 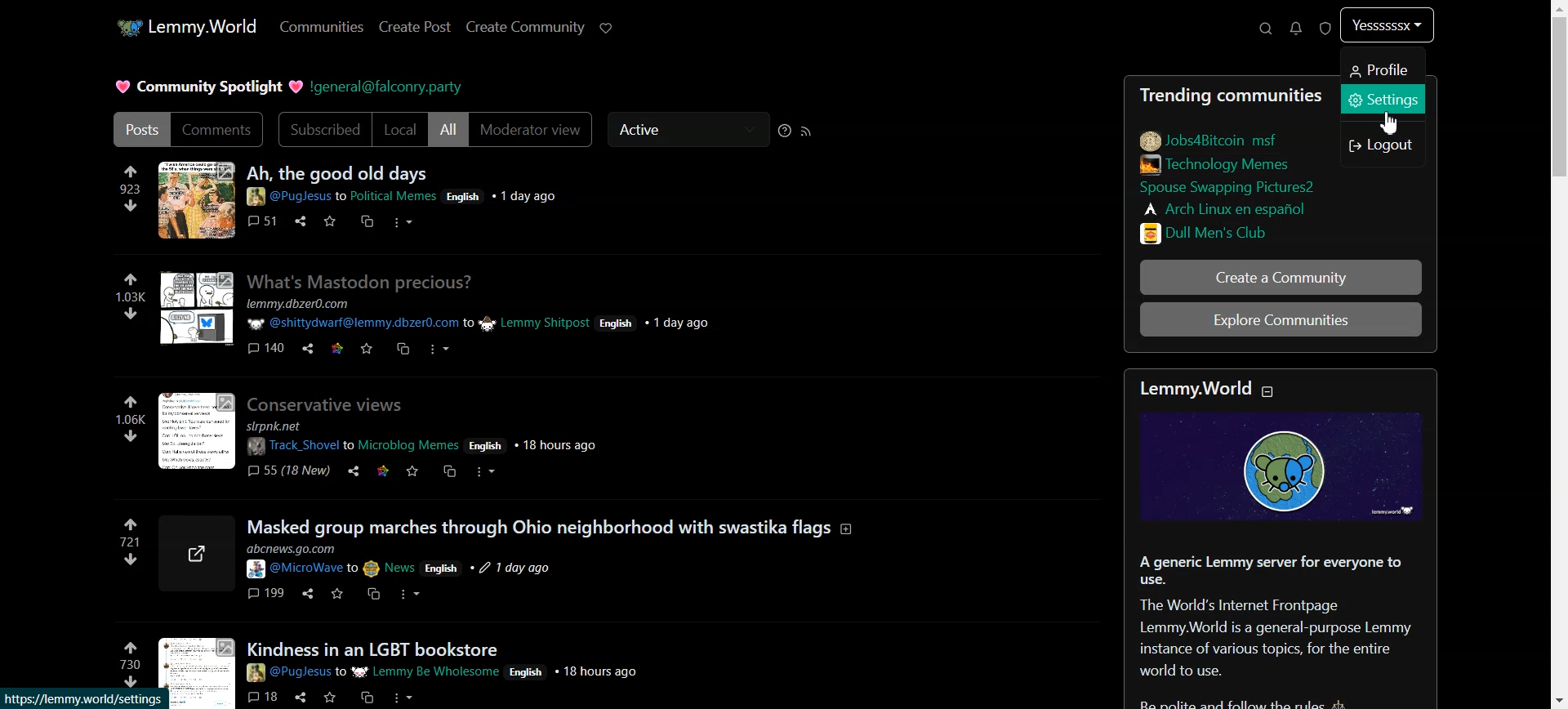 What do you see at coordinates (322, 129) in the screenshot?
I see `Subscribed` at bounding box center [322, 129].